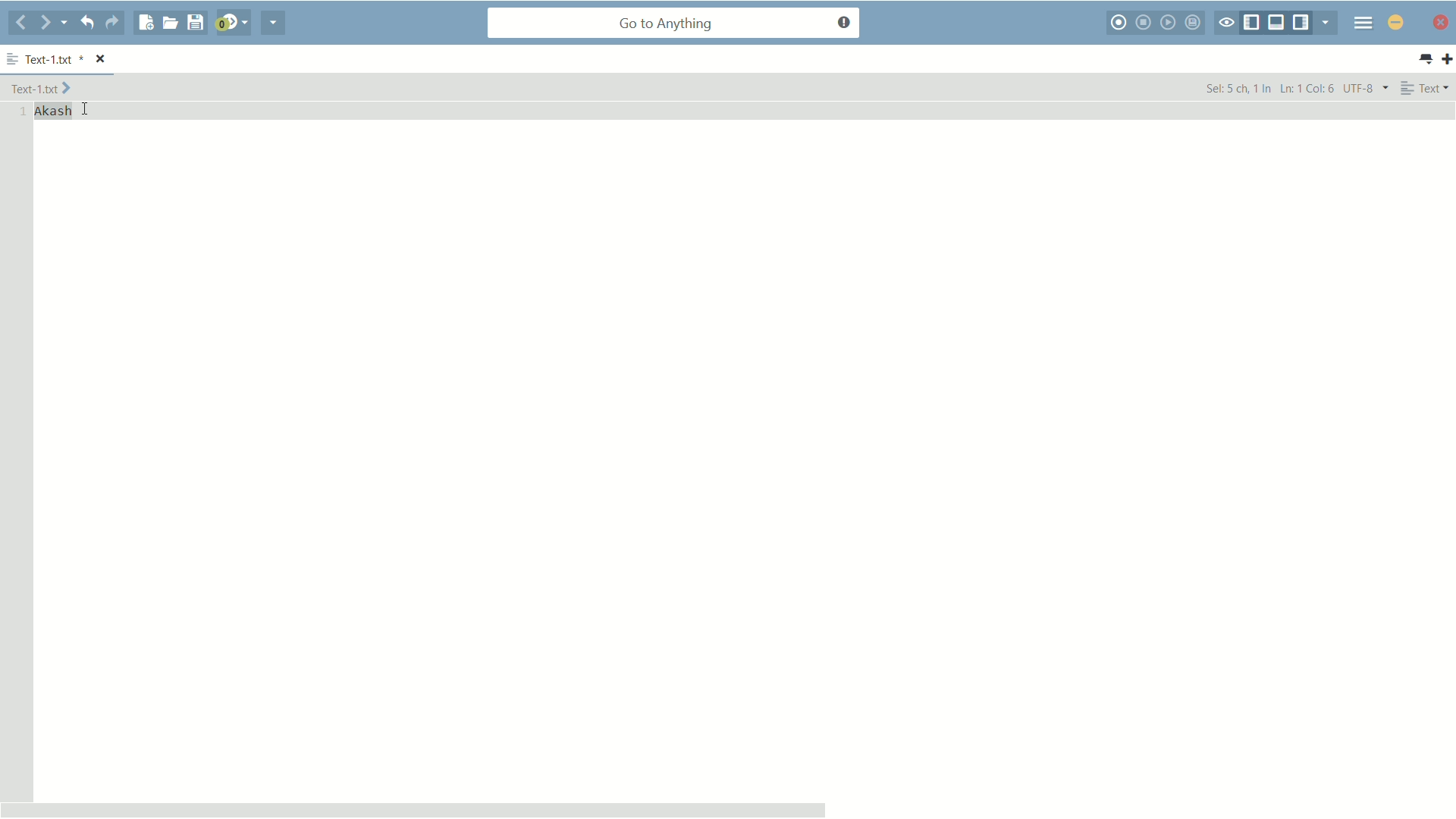 This screenshot has width=1456, height=819. Describe the element at coordinates (1170, 22) in the screenshot. I see `play last macro` at that location.